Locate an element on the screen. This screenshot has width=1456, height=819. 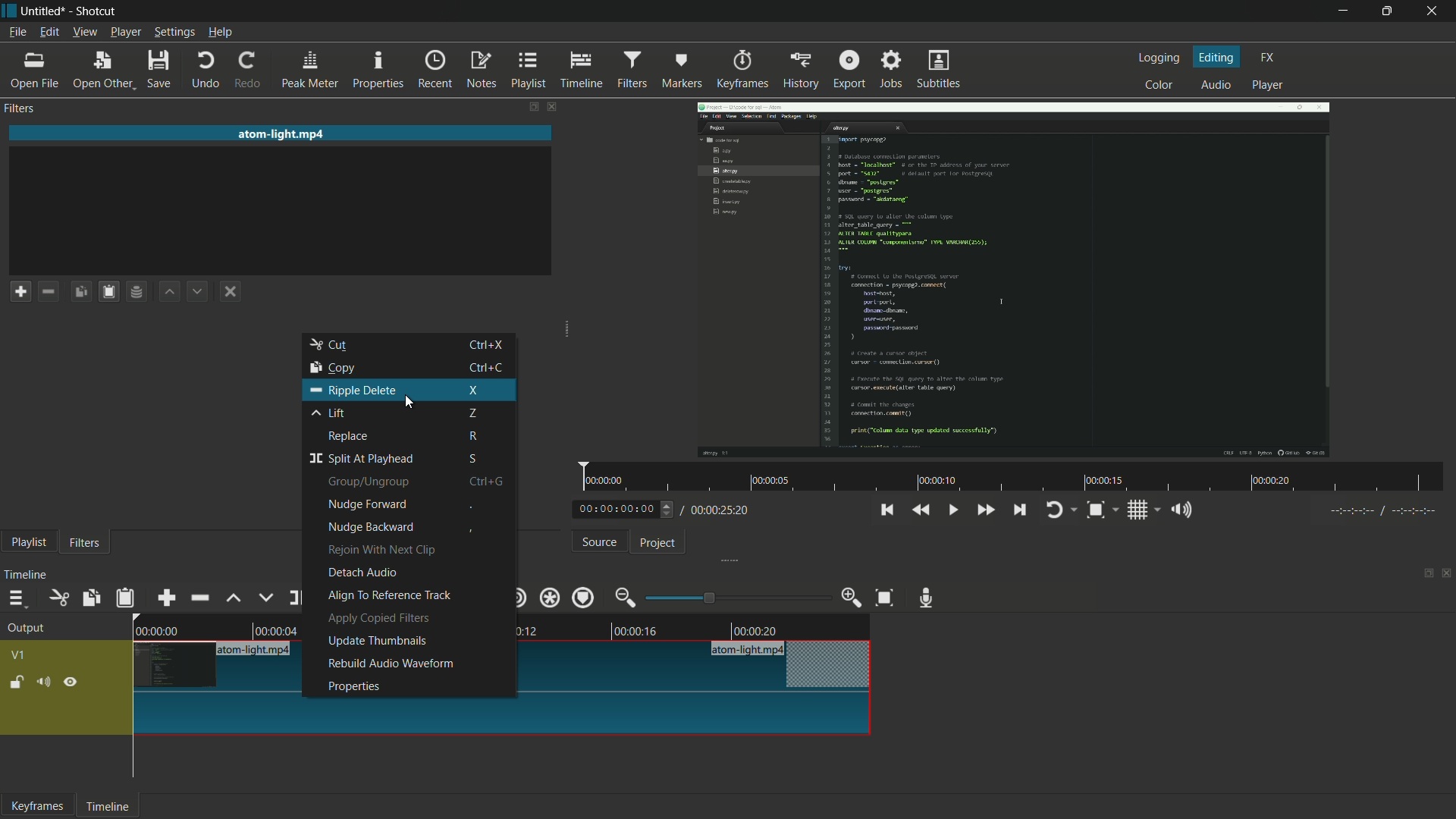
save is located at coordinates (157, 67).